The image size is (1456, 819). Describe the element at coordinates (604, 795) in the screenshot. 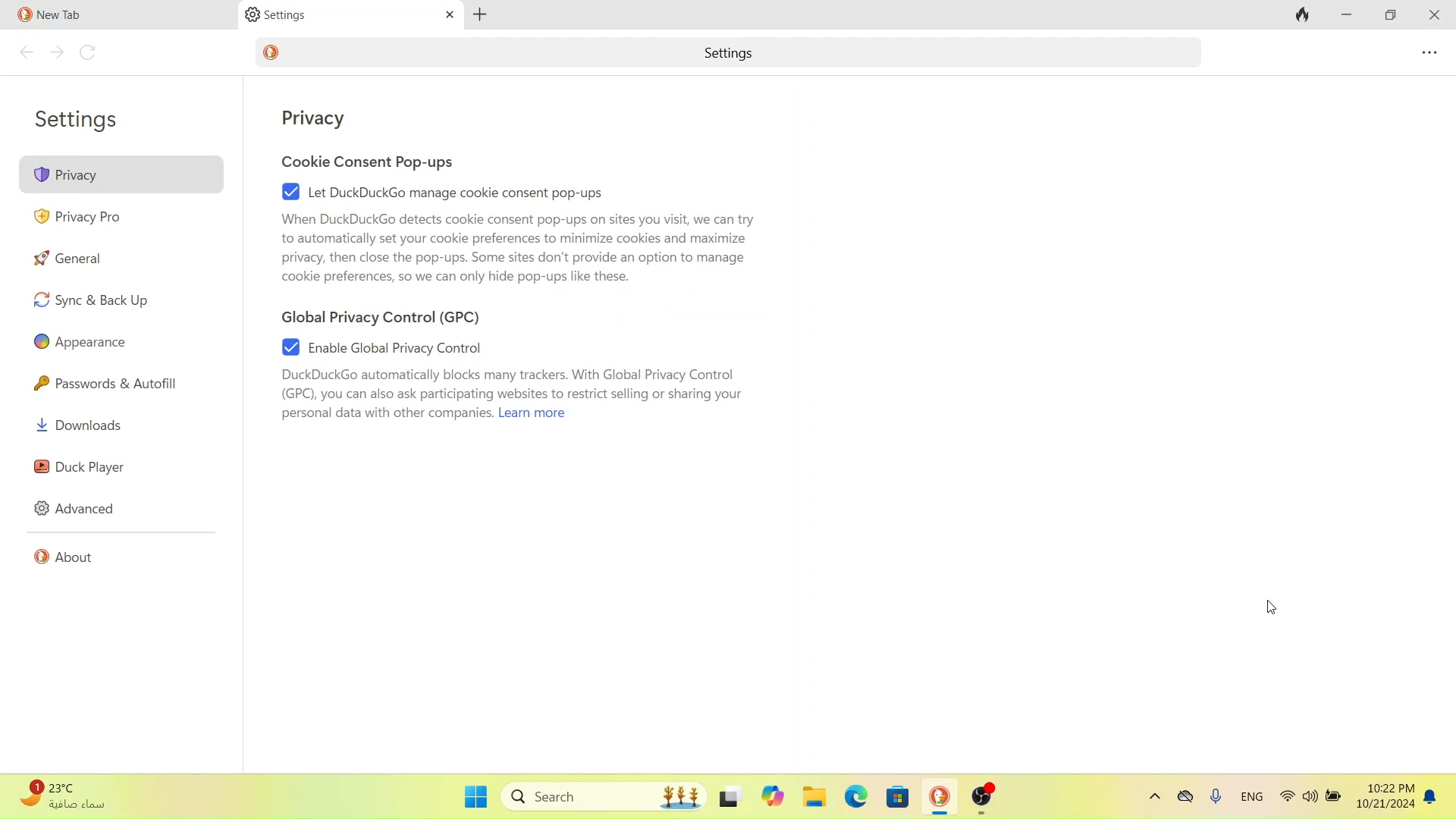

I see `search` at that location.